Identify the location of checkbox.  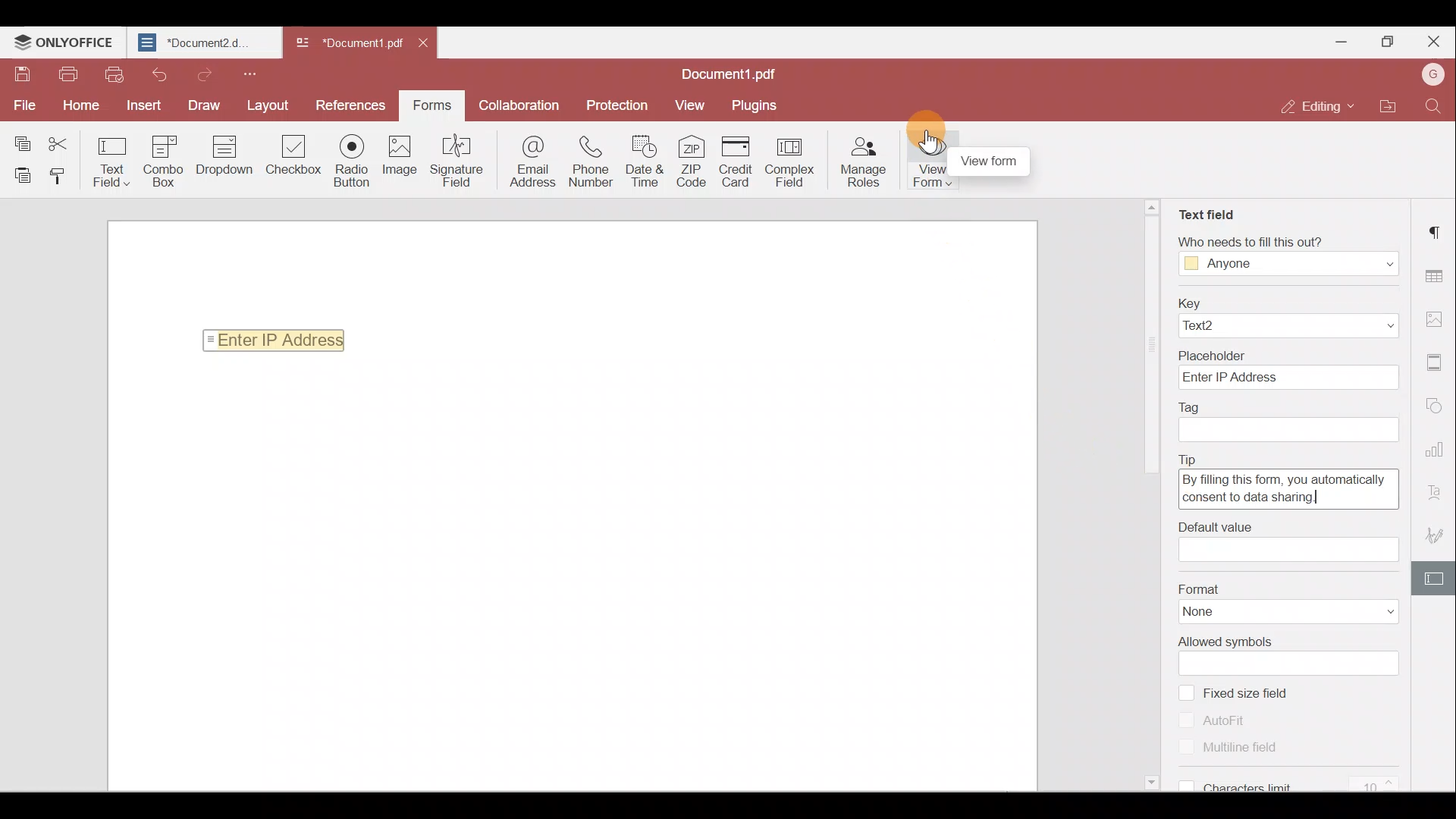
(1188, 748).